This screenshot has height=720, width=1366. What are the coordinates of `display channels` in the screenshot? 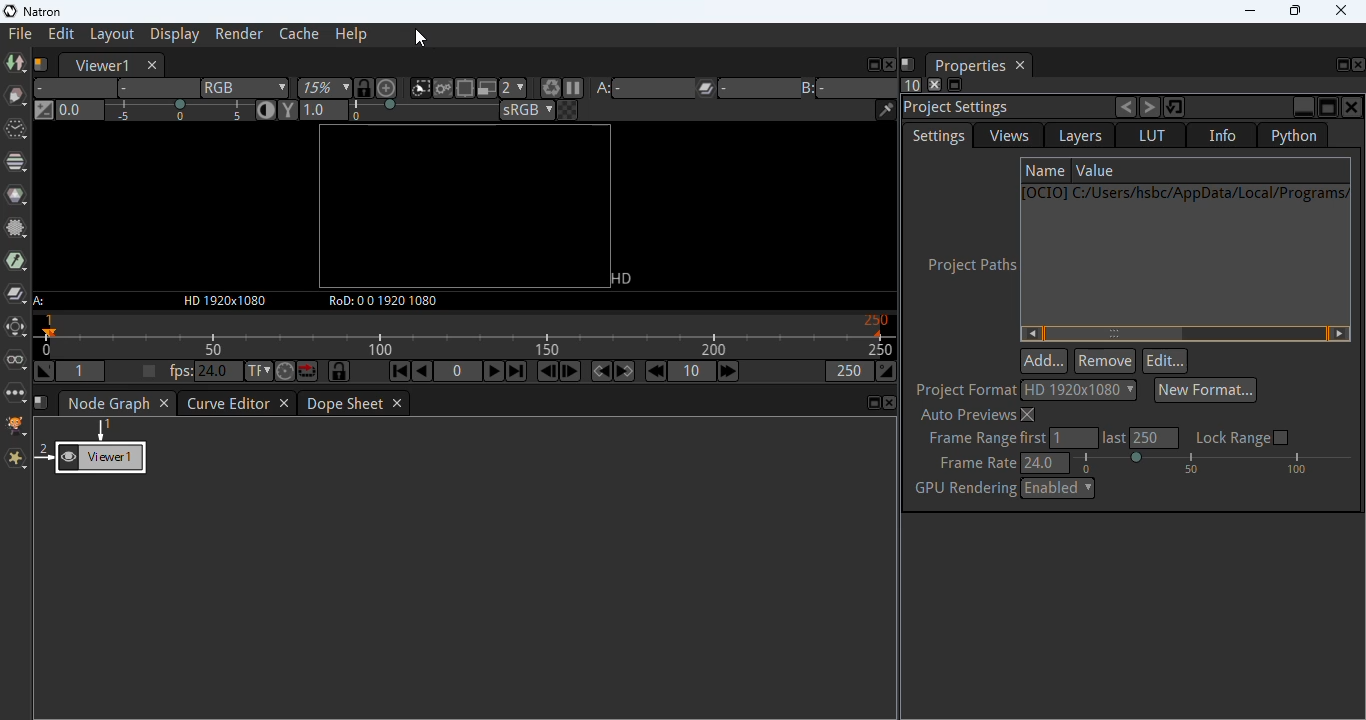 It's located at (246, 88).